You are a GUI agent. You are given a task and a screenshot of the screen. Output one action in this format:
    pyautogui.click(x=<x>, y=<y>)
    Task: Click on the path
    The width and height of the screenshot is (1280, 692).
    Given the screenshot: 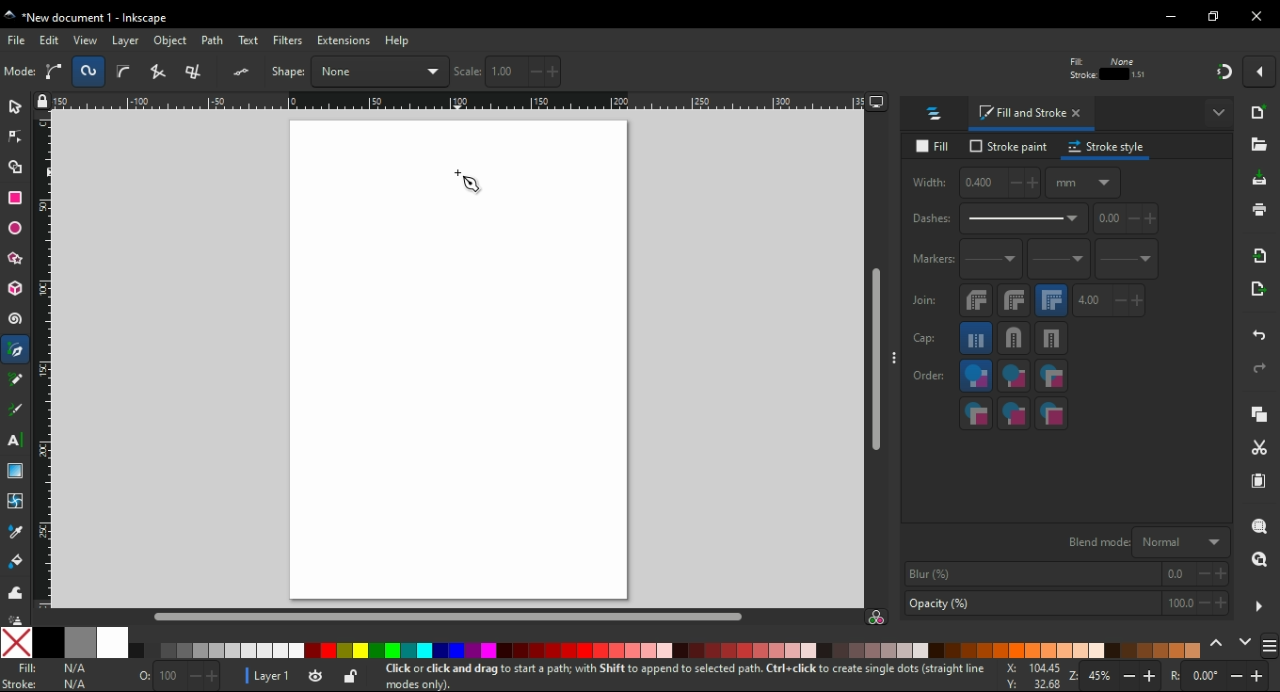 What is the action you would take?
    pyautogui.click(x=214, y=40)
    